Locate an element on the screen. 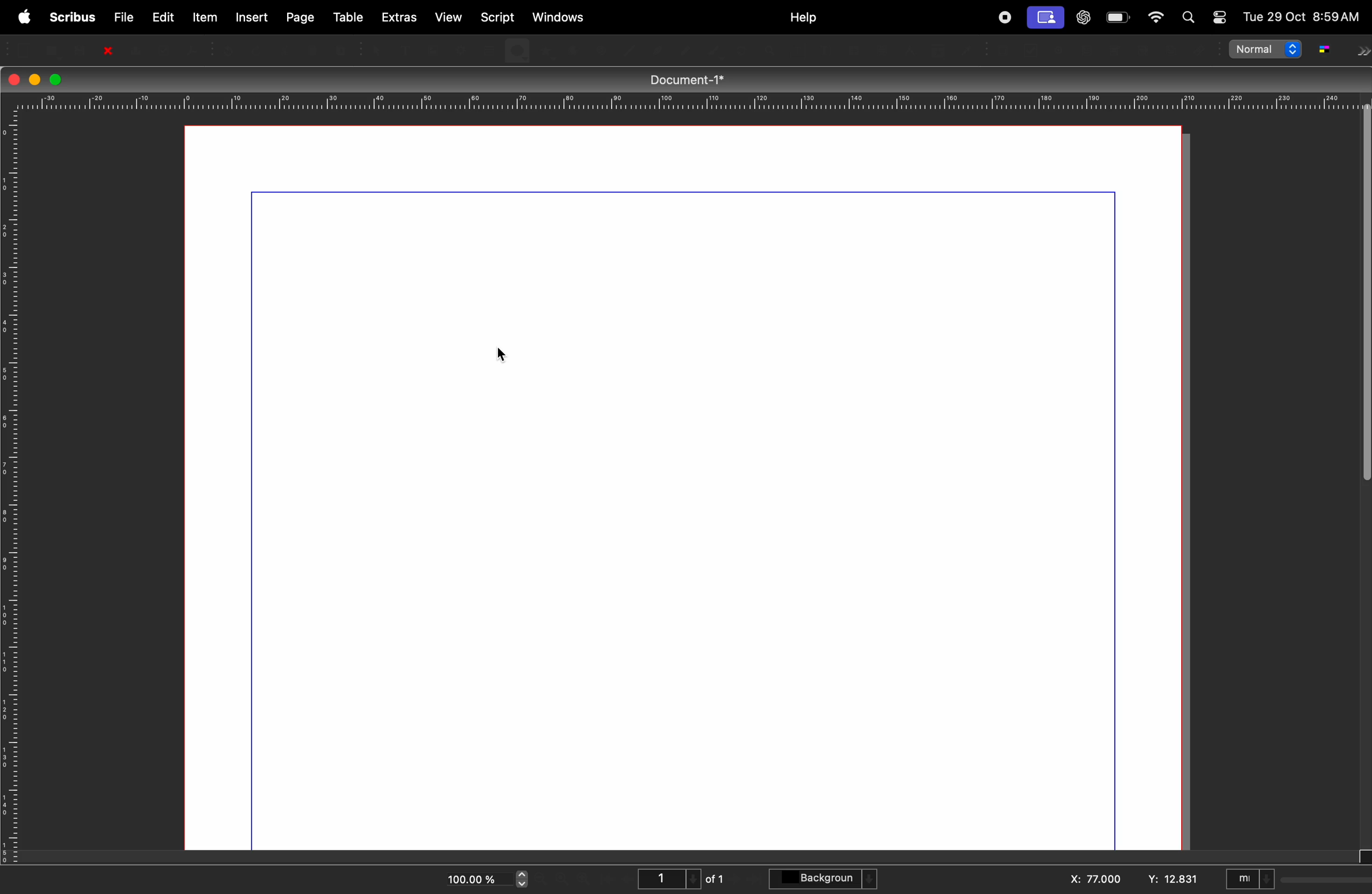  minimize is located at coordinates (33, 78).